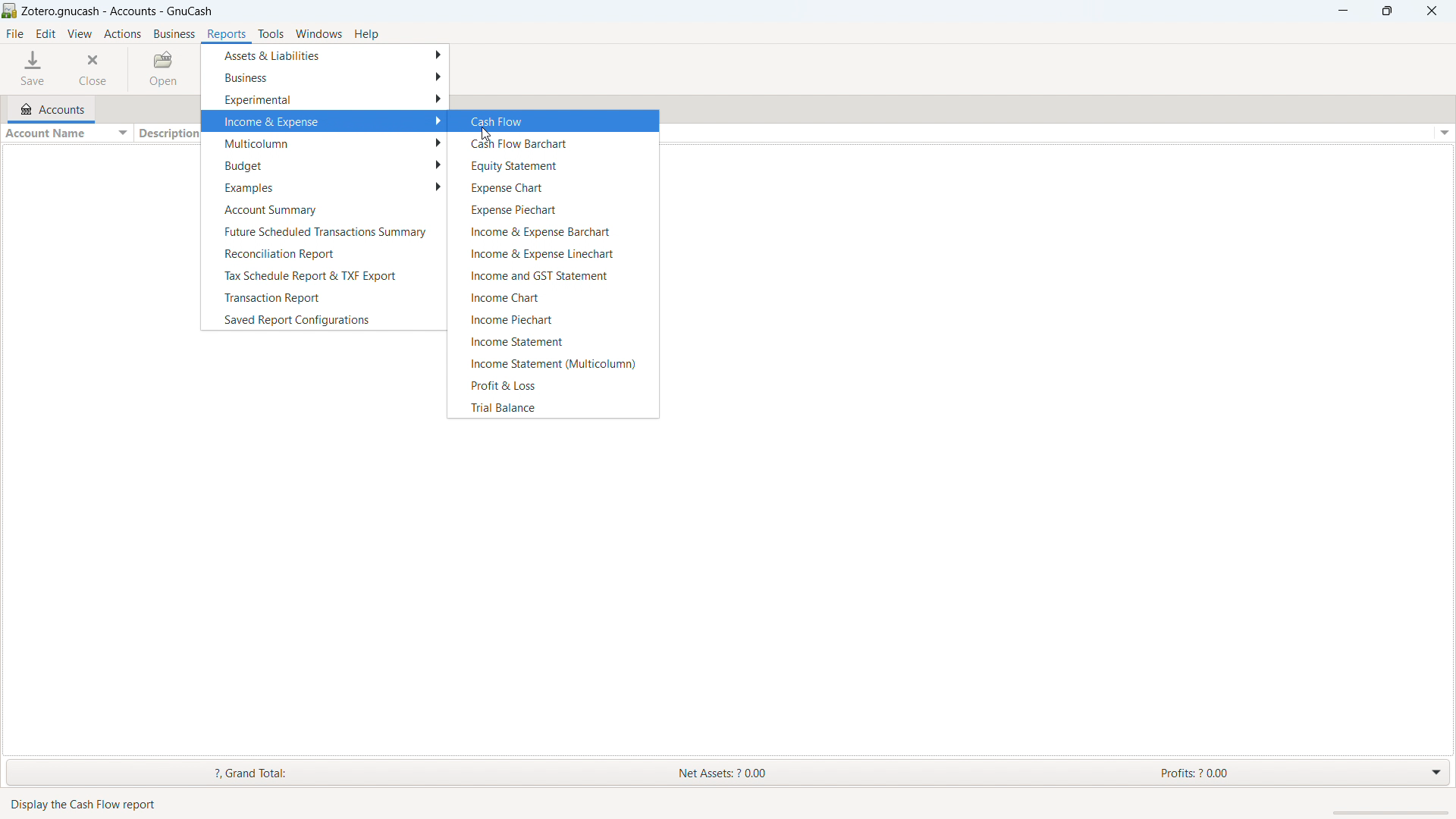 Image resolution: width=1456 pixels, height=819 pixels. I want to click on help, so click(366, 34).